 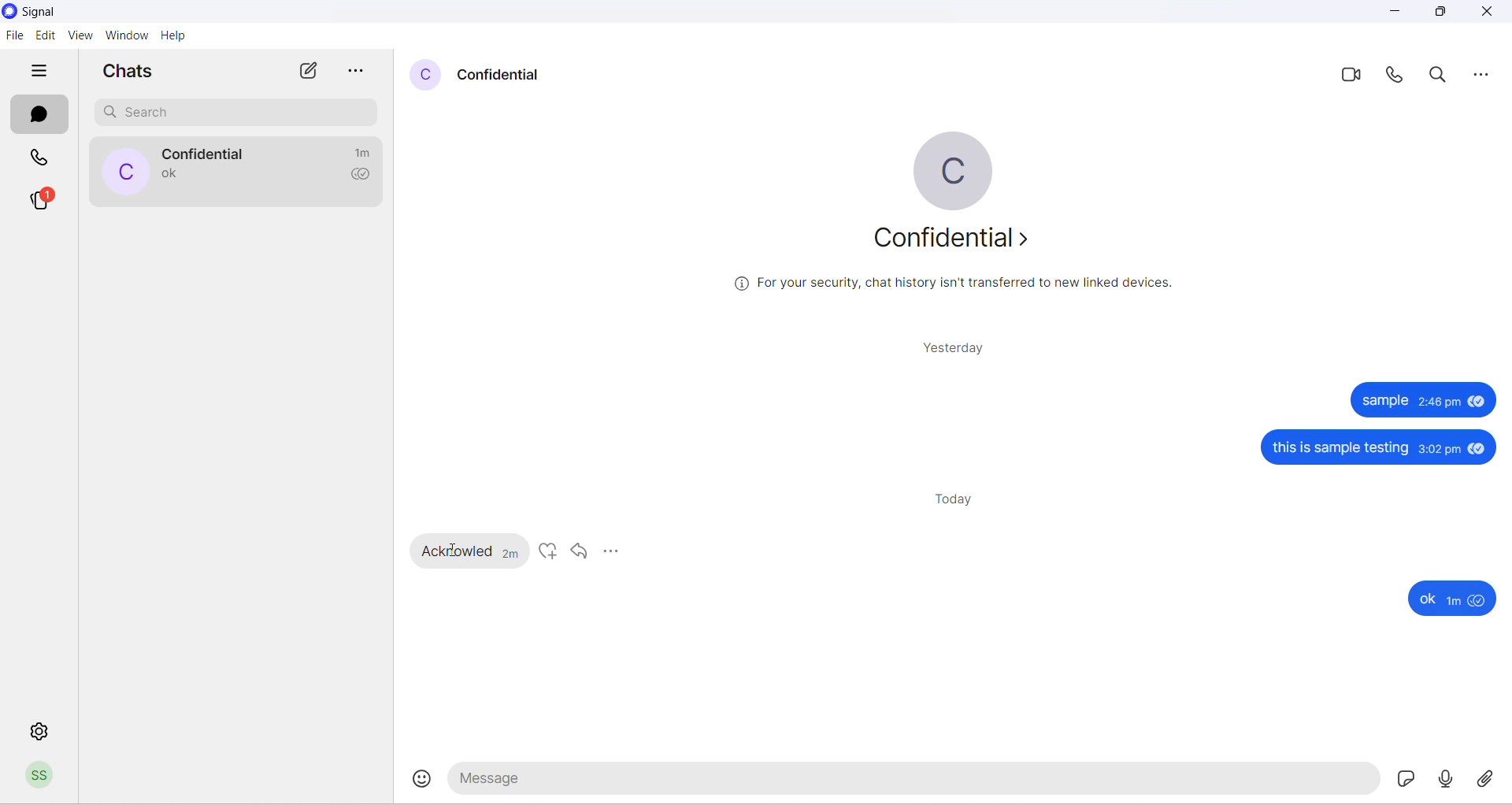 What do you see at coordinates (36, 156) in the screenshot?
I see `calls` at bounding box center [36, 156].